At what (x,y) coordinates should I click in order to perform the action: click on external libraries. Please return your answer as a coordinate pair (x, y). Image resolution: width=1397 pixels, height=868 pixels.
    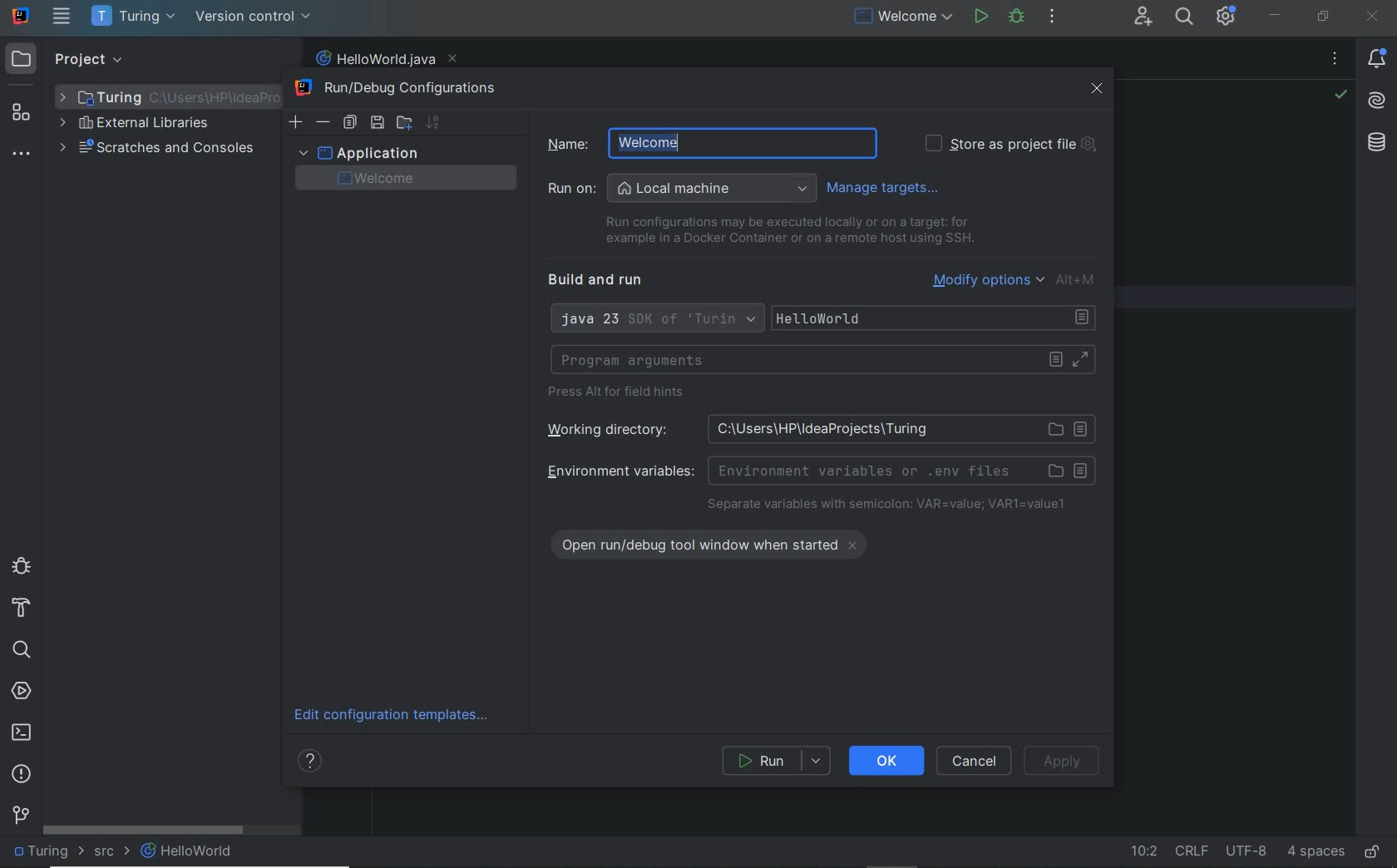
    Looking at the image, I should click on (134, 125).